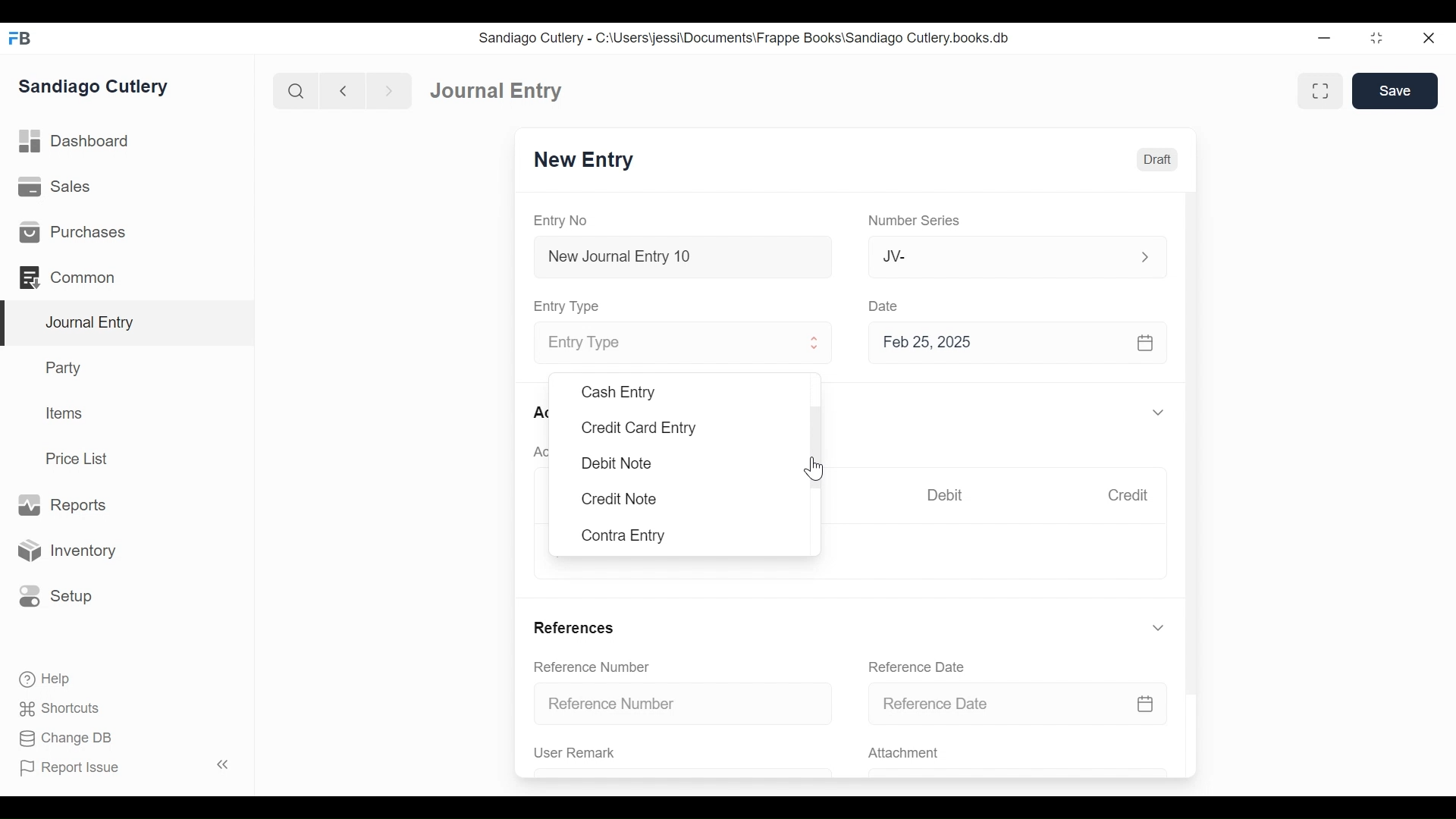 The height and width of the screenshot is (819, 1456). Describe the element at coordinates (571, 306) in the screenshot. I see `Entry Type` at that location.